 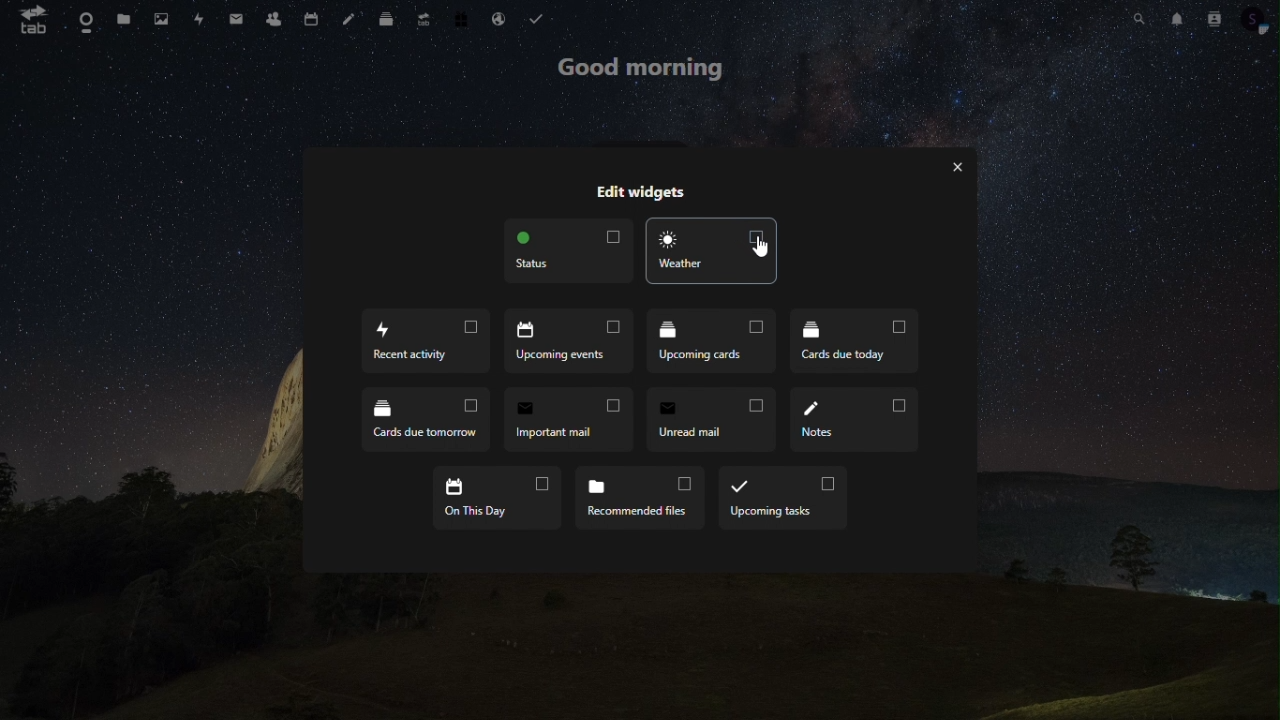 What do you see at coordinates (571, 252) in the screenshot?
I see `status` at bounding box center [571, 252].